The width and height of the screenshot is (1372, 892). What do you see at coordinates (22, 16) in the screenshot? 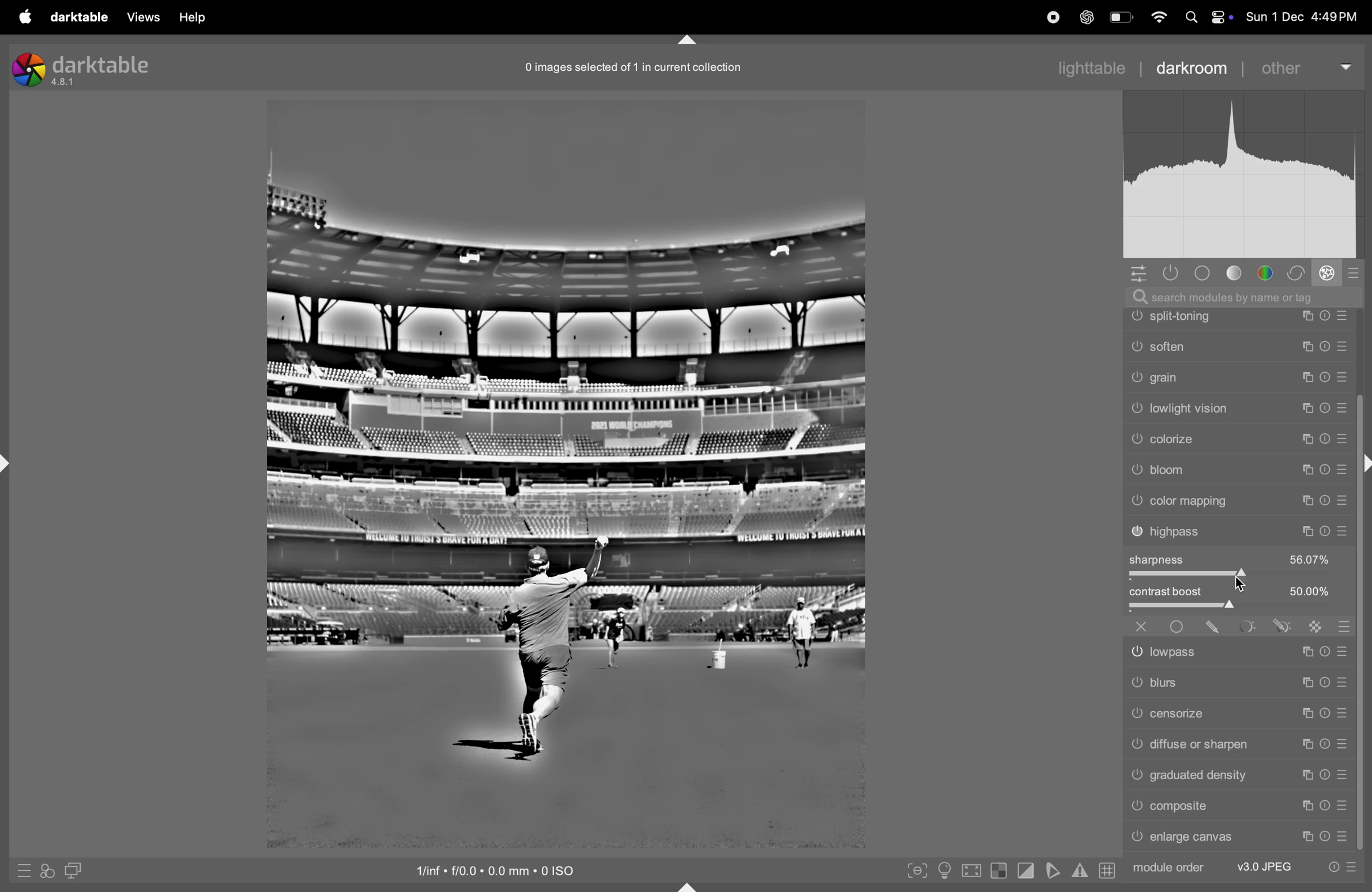
I see `apple menu` at bounding box center [22, 16].